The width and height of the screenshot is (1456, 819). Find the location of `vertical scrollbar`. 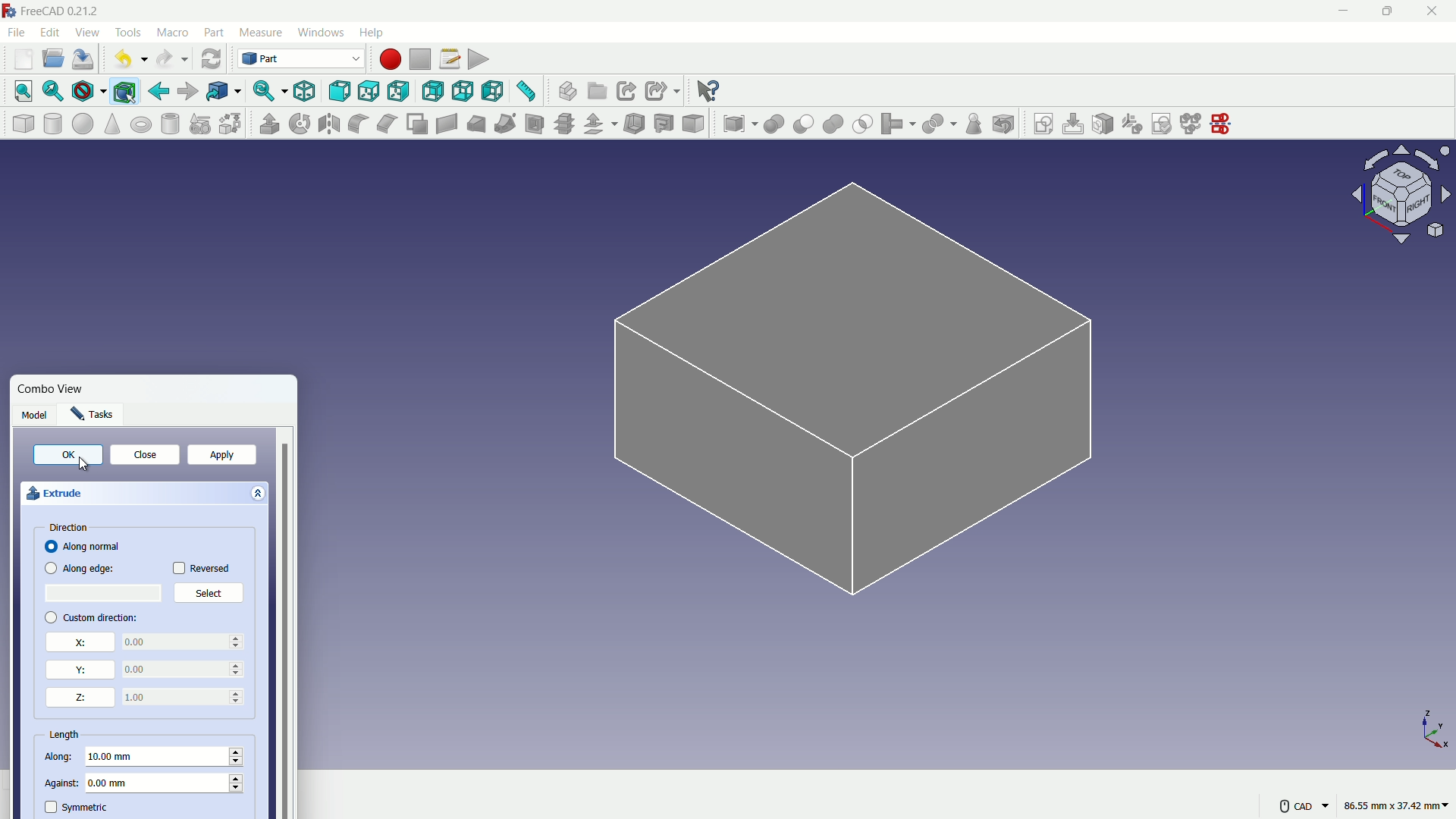

vertical scrollbar is located at coordinates (287, 623).